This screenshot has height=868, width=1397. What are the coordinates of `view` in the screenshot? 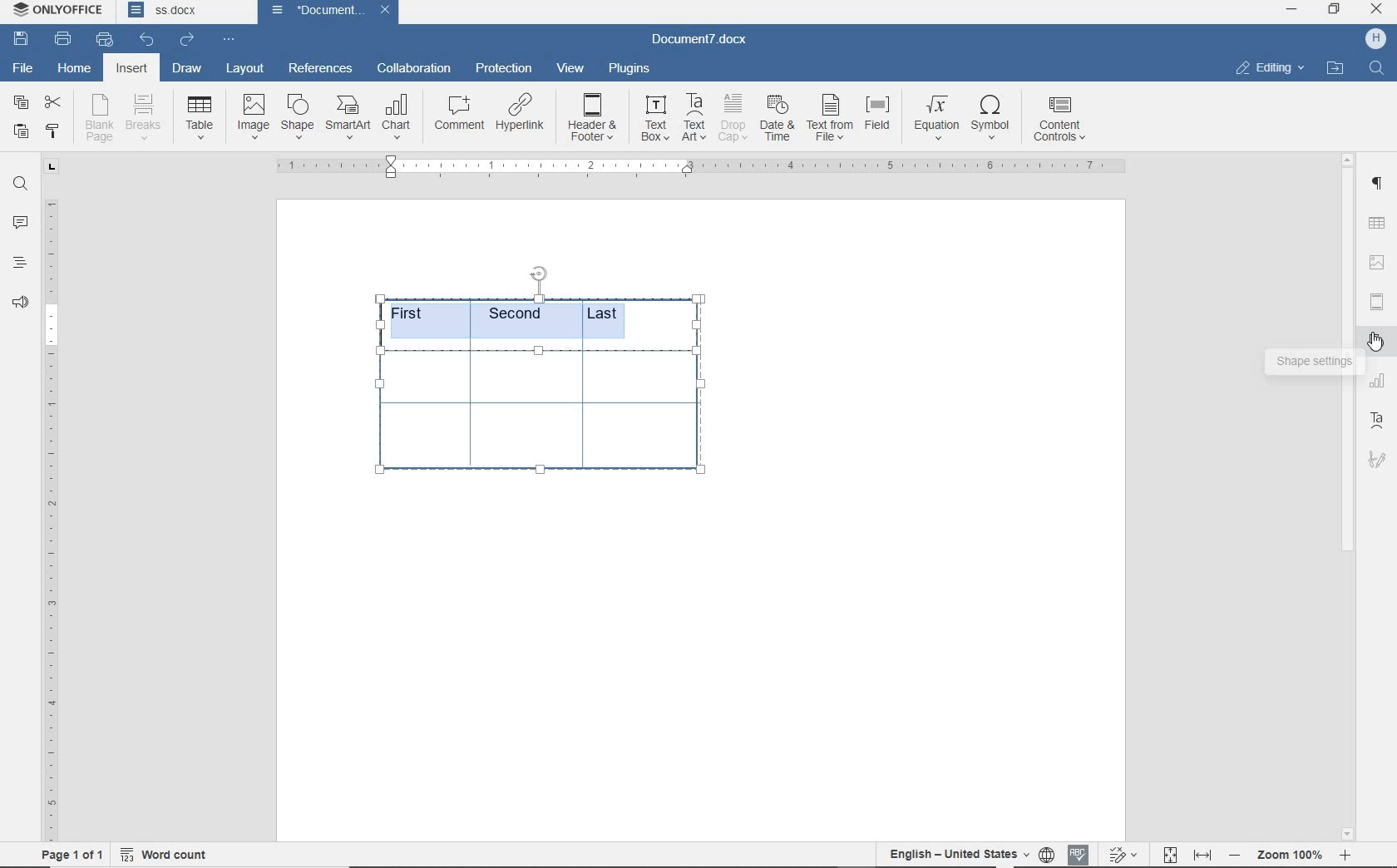 It's located at (571, 69).